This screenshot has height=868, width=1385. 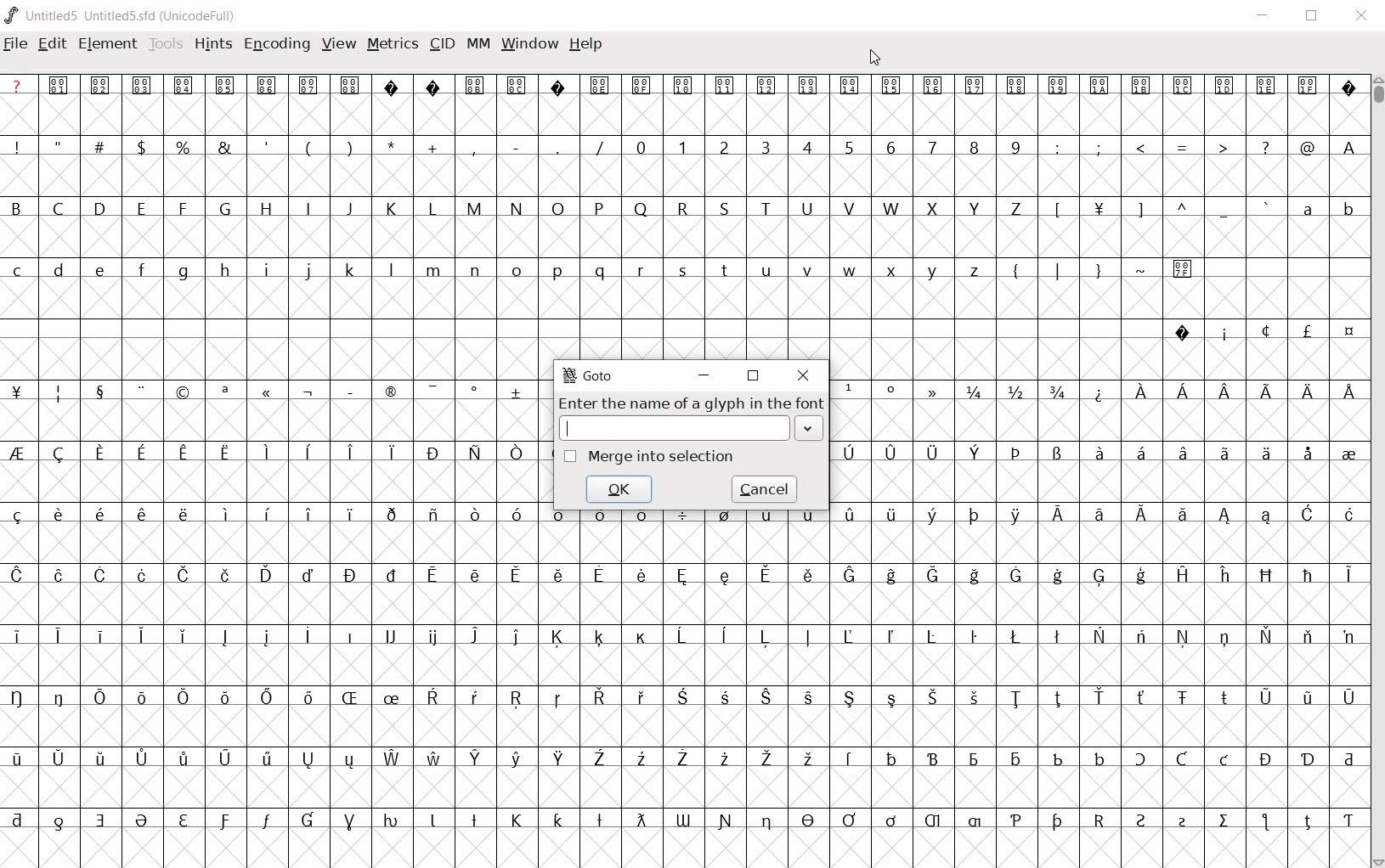 I want to click on Symbol, so click(x=517, y=637).